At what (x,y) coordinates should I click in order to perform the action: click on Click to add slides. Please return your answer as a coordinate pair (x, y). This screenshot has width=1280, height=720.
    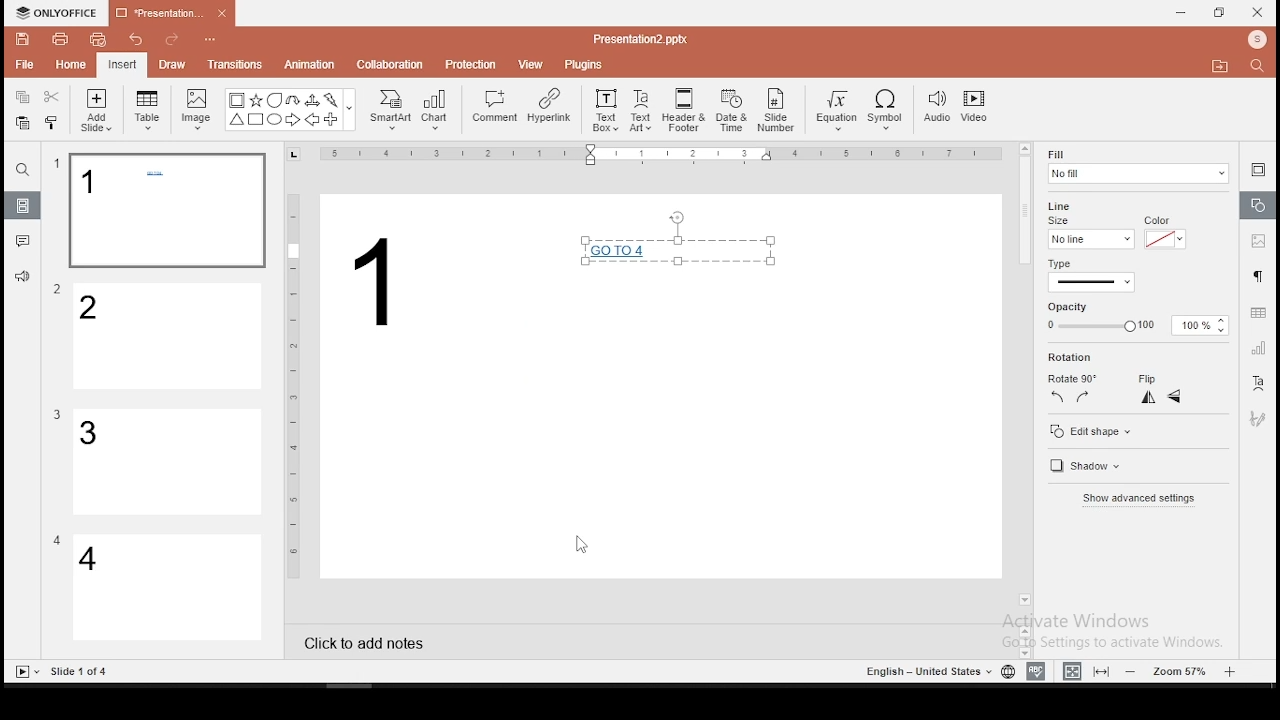
    Looking at the image, I should click on (360, 637).